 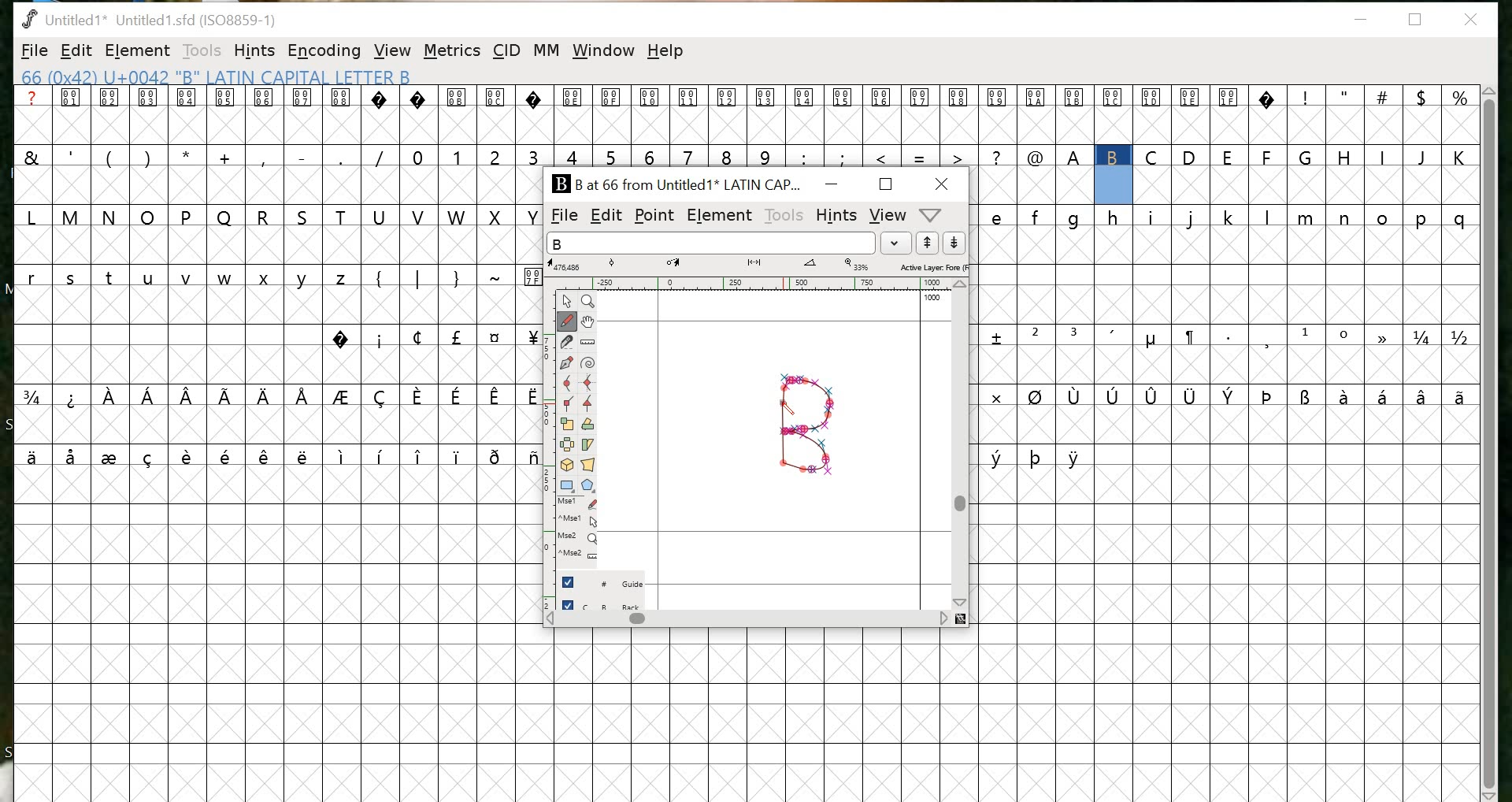 What do you see at coordinates (719, 216) in the screenshot?
I see `ELEMENT` at bounding box center [719, 216].